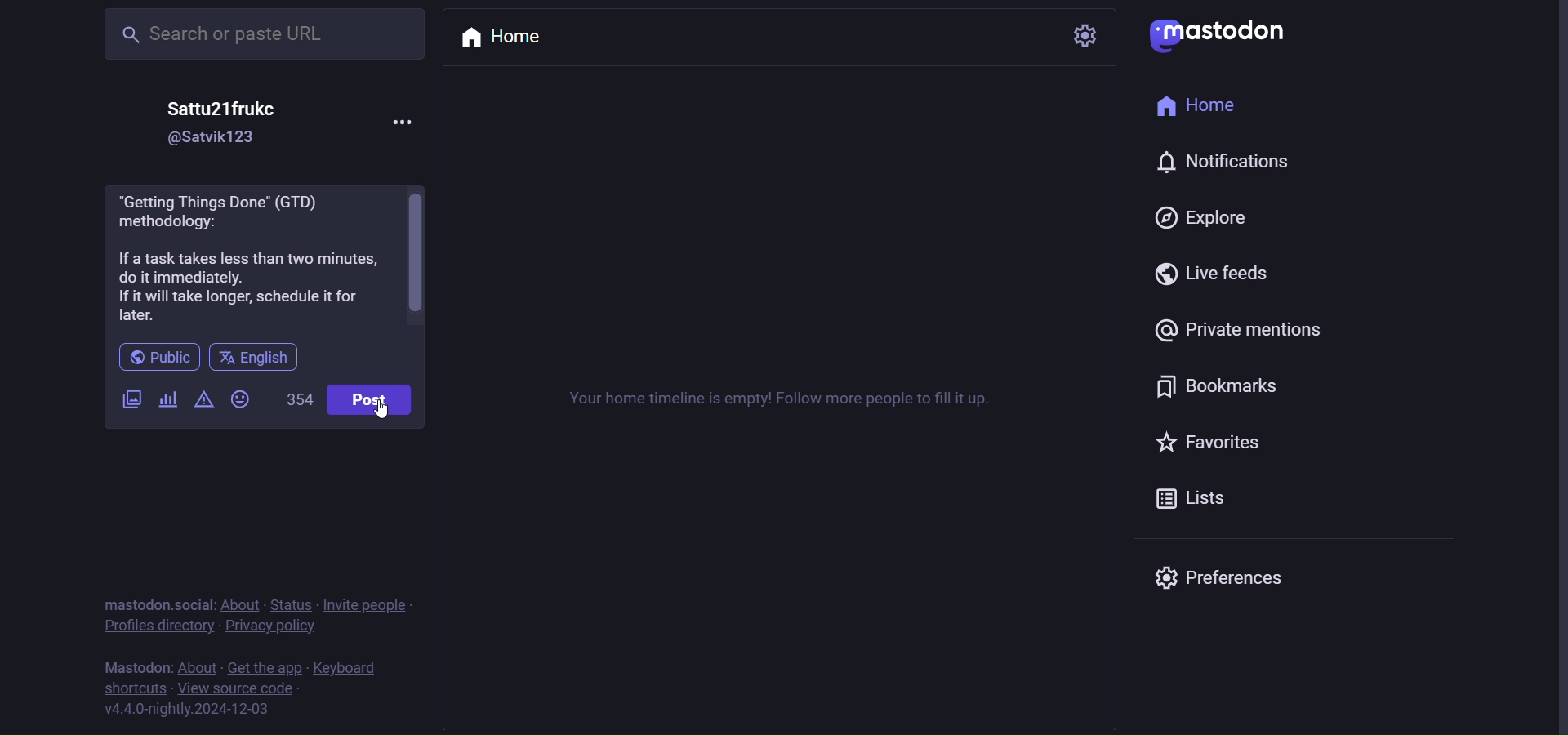  Describe the element at coordinates (154, 604) in the screenshot. I see `mastodon social` at that location.